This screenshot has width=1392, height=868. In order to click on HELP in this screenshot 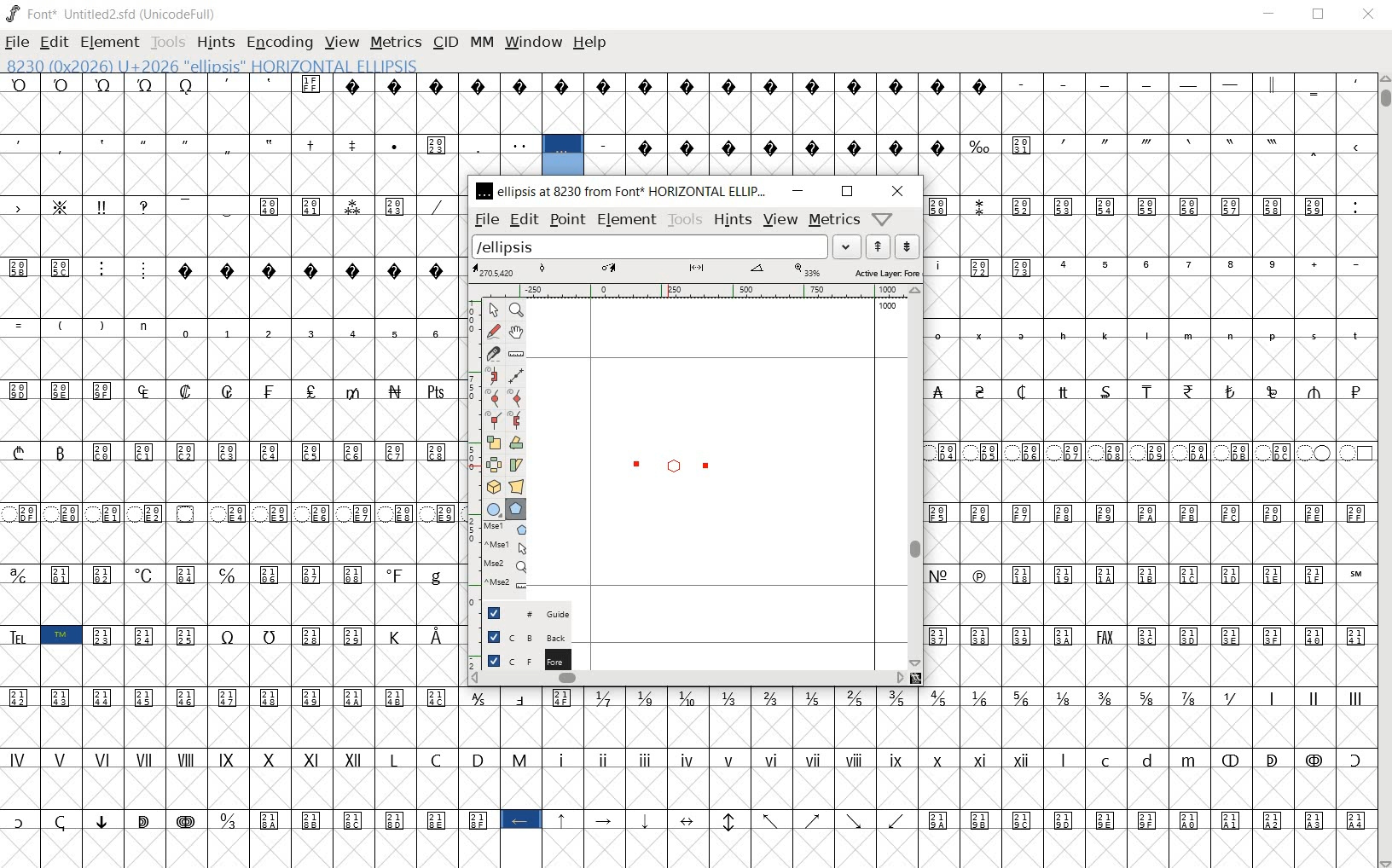, I will do `click(590, 43)`.